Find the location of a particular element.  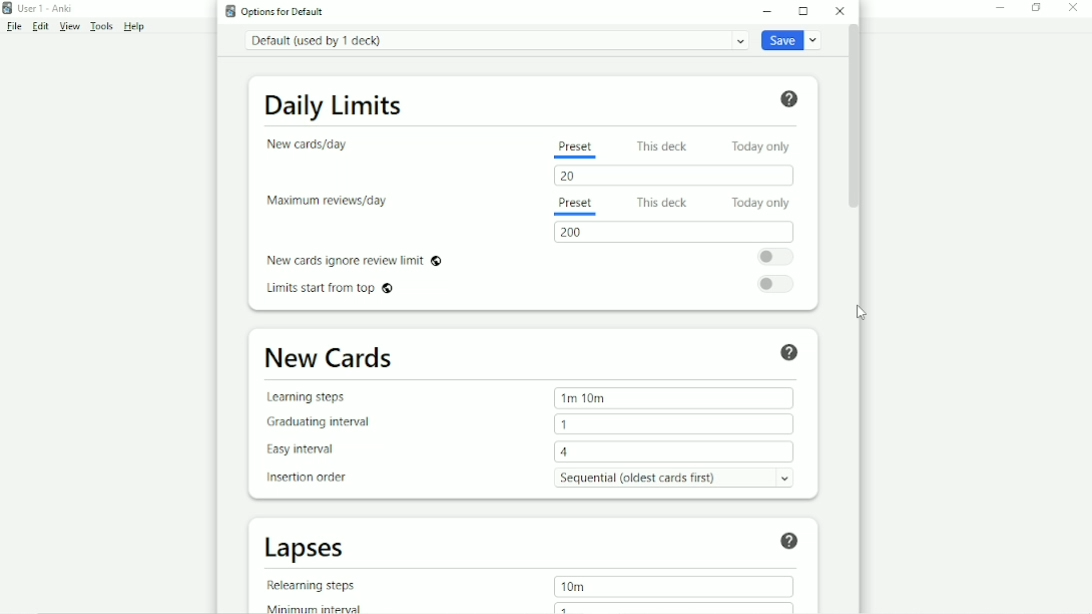

Help is located at coordinates (134, 27).